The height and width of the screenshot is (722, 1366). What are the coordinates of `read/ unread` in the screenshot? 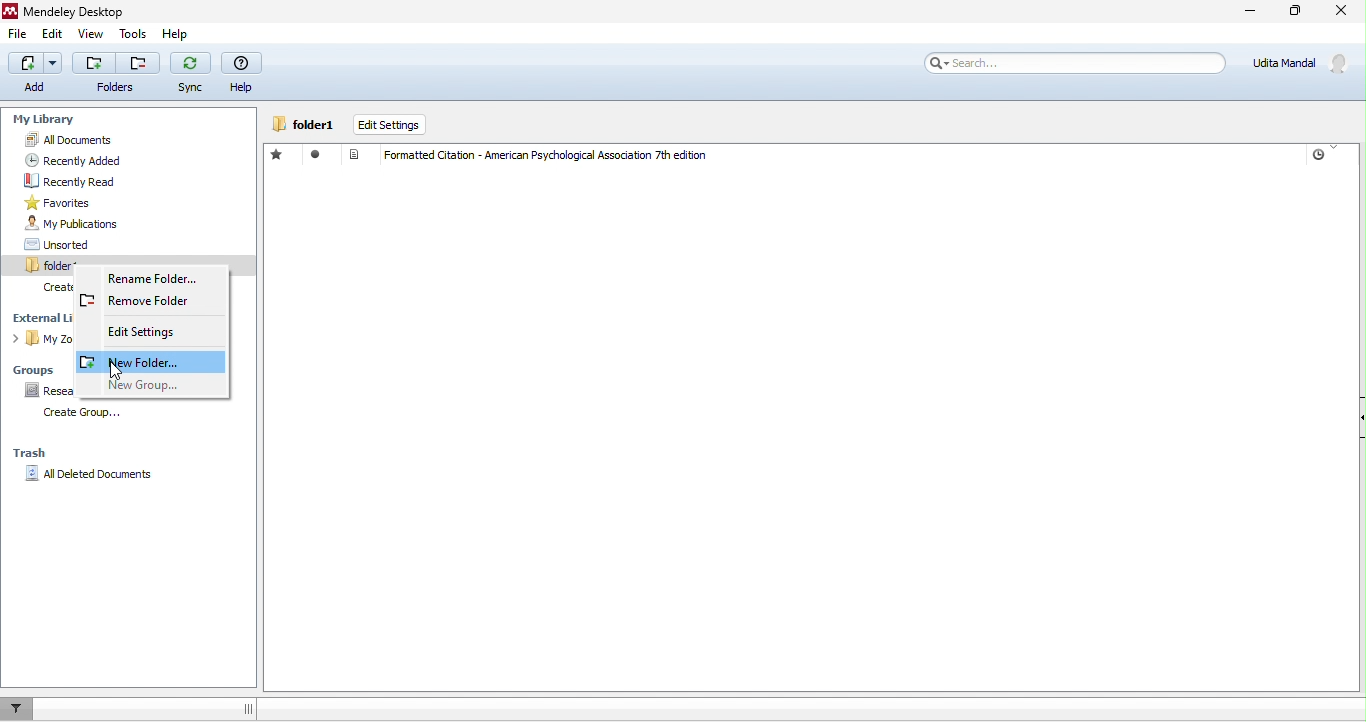 It's located at (318, 157).